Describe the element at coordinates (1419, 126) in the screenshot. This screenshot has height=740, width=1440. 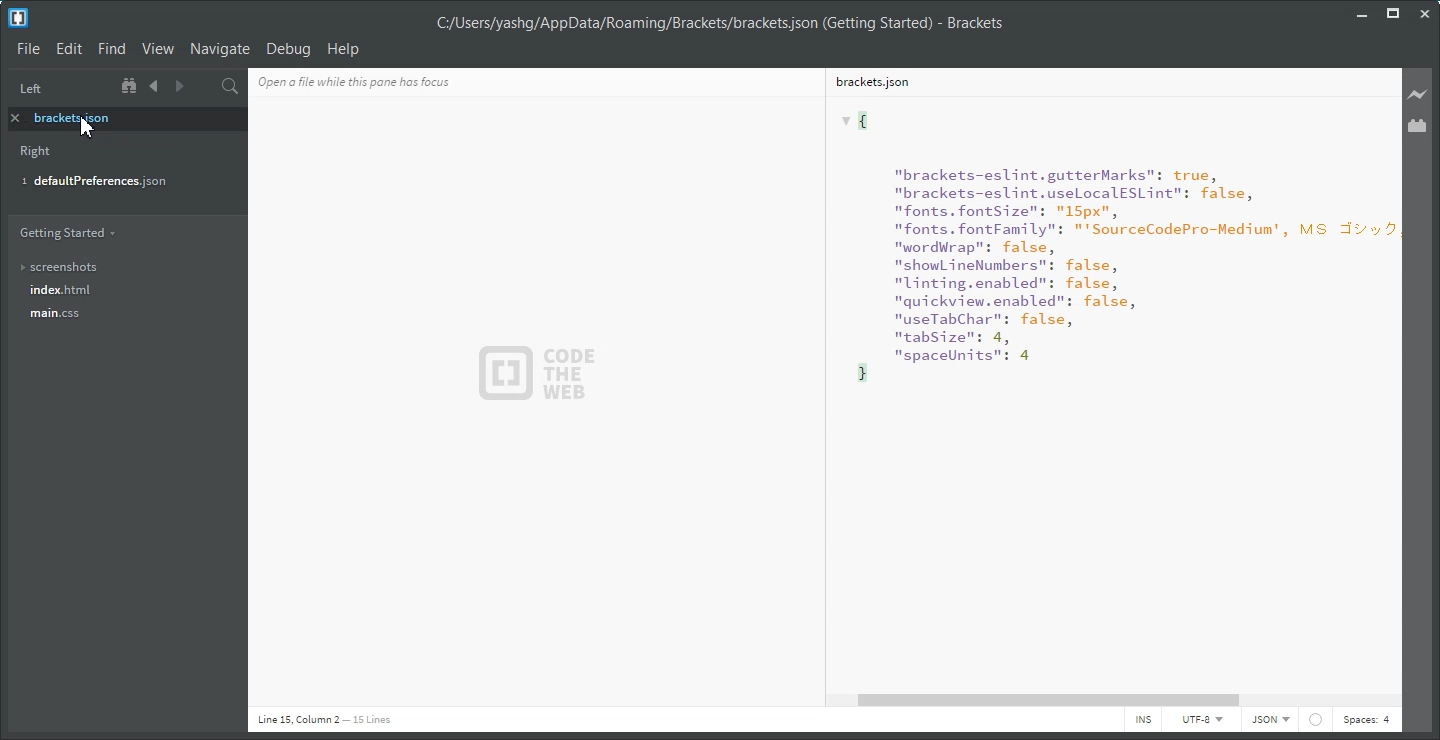
I see `Extension Manager` at that location.